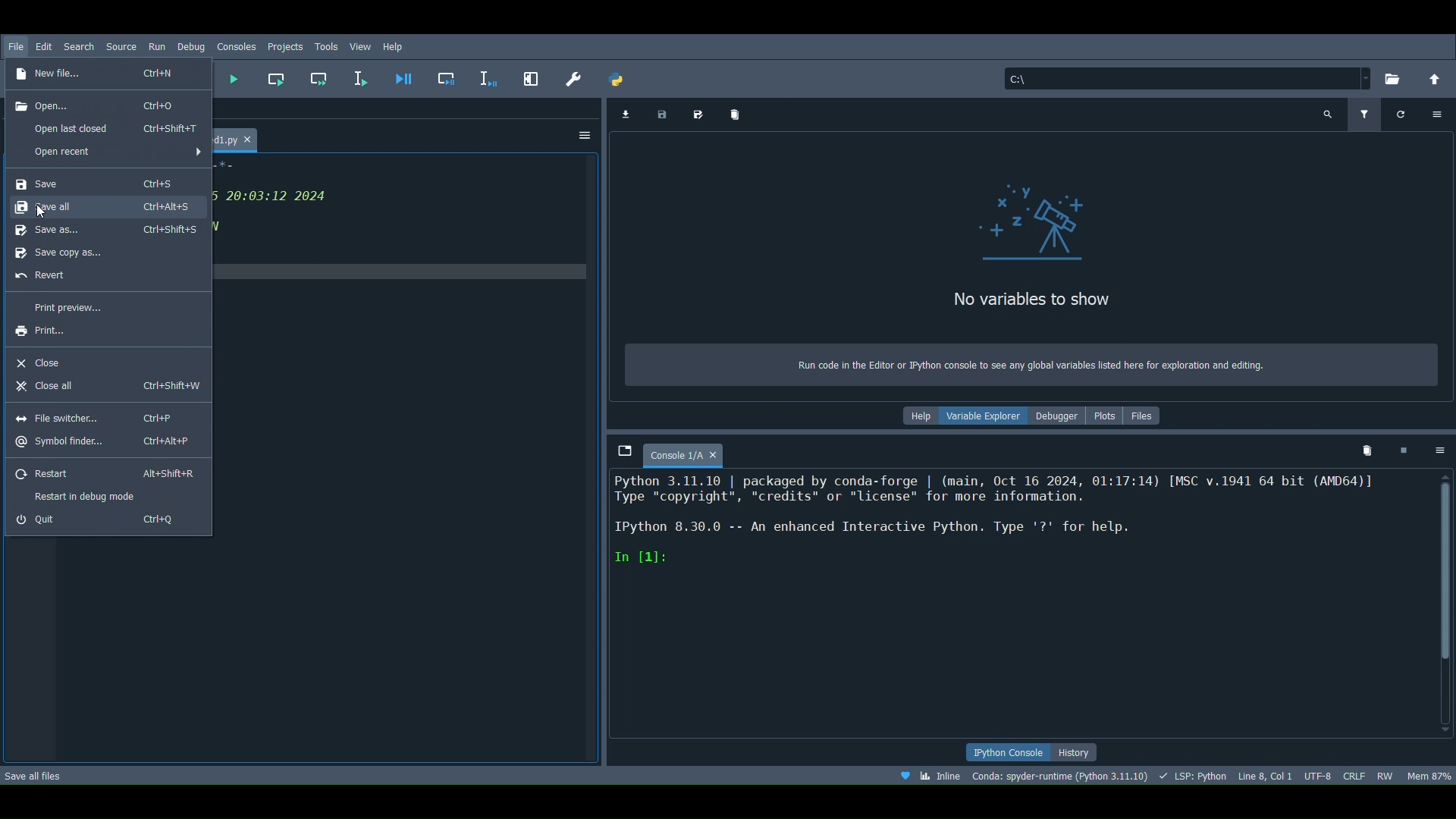 The width and height of the screenshot is (1456, 819). Describe the element at coordinates (45, 42) in the screenshot. I see `Edit` at that location.